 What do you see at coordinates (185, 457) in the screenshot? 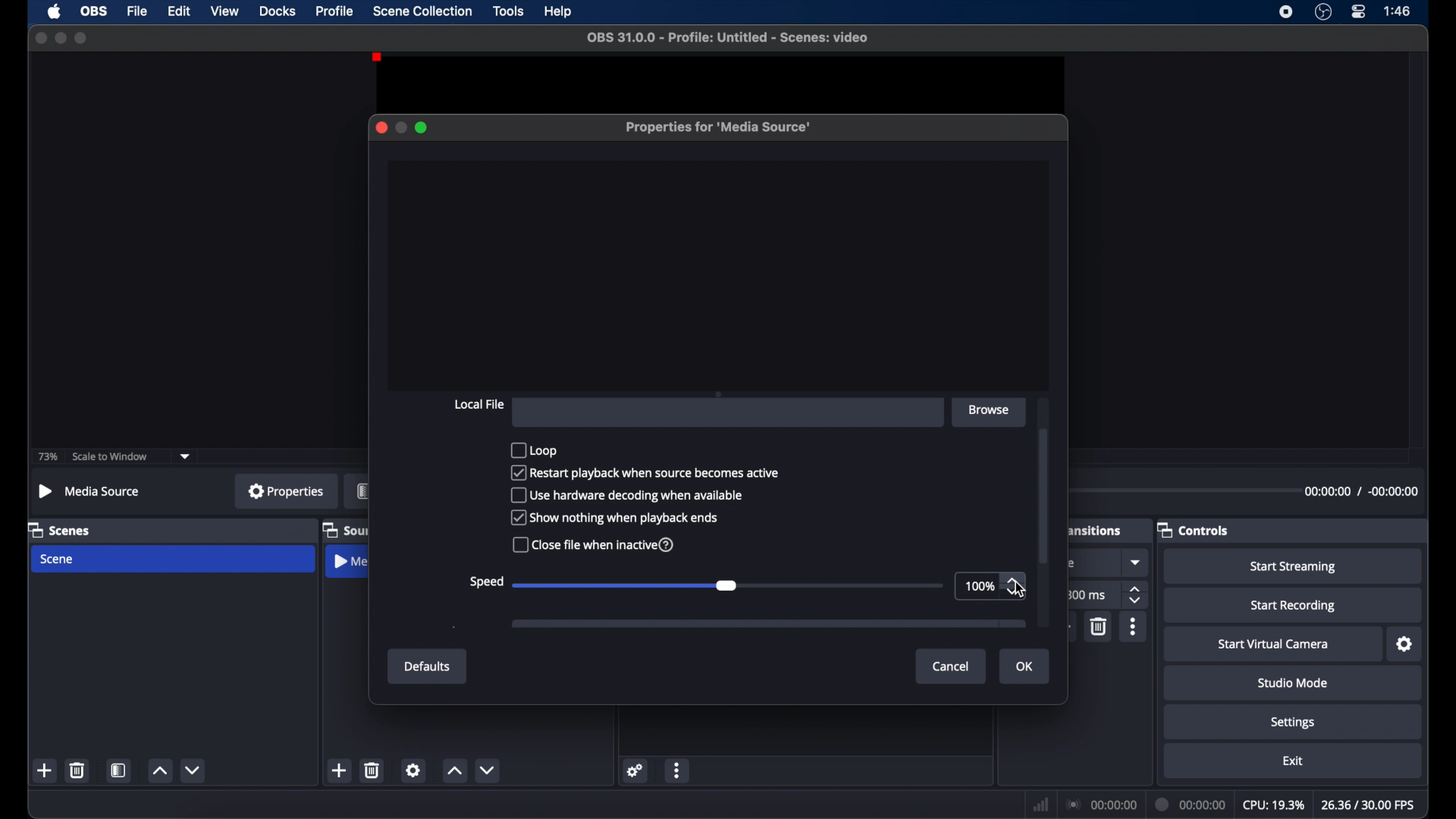
I see `dropdown` at bounding box center [185, 457].